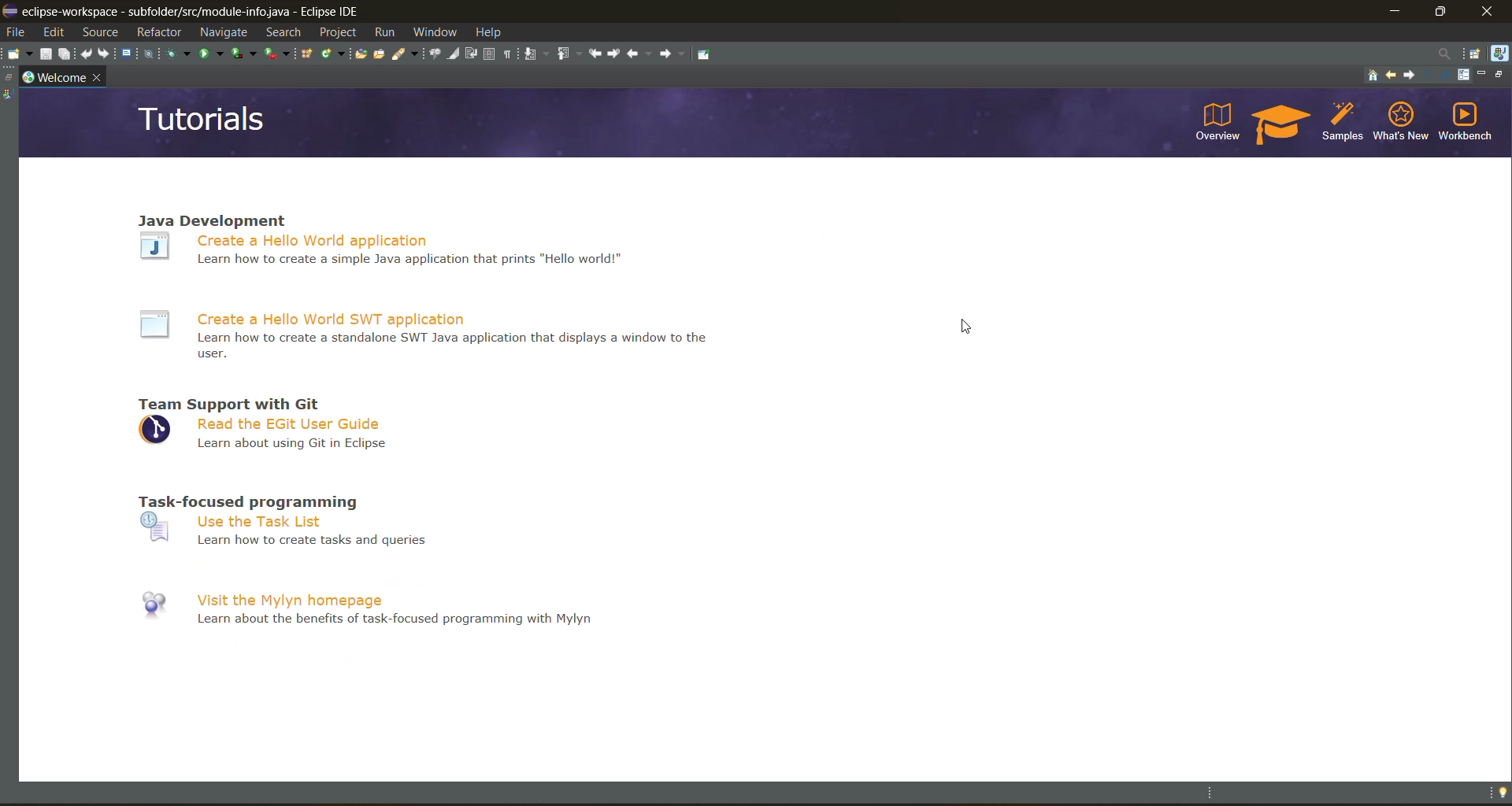 The image size is (1512, 806). What do you see at coordinates (1412, 75) in the screenshot?
I see `navigate to next topic` at bounding box center [1412, 75].